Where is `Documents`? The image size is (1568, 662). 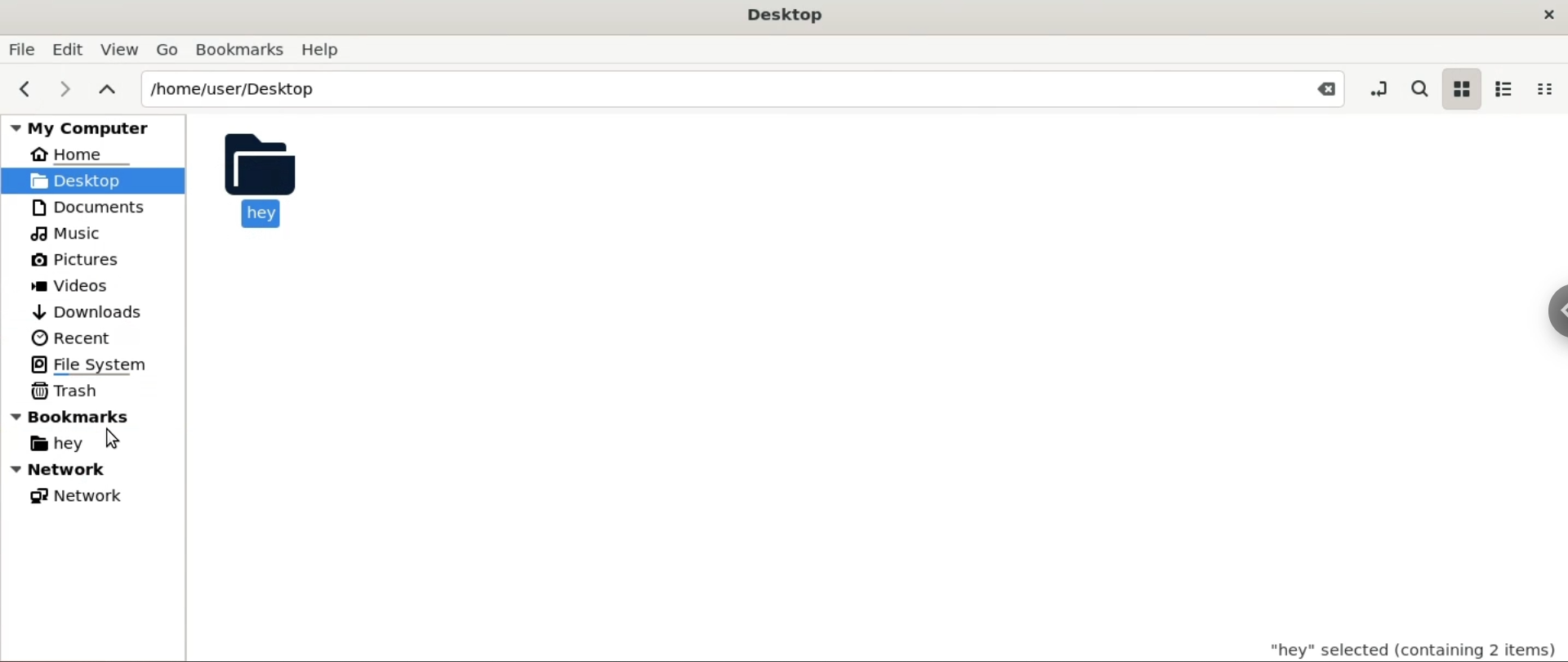
Documents is located at coordinates (87, 207).